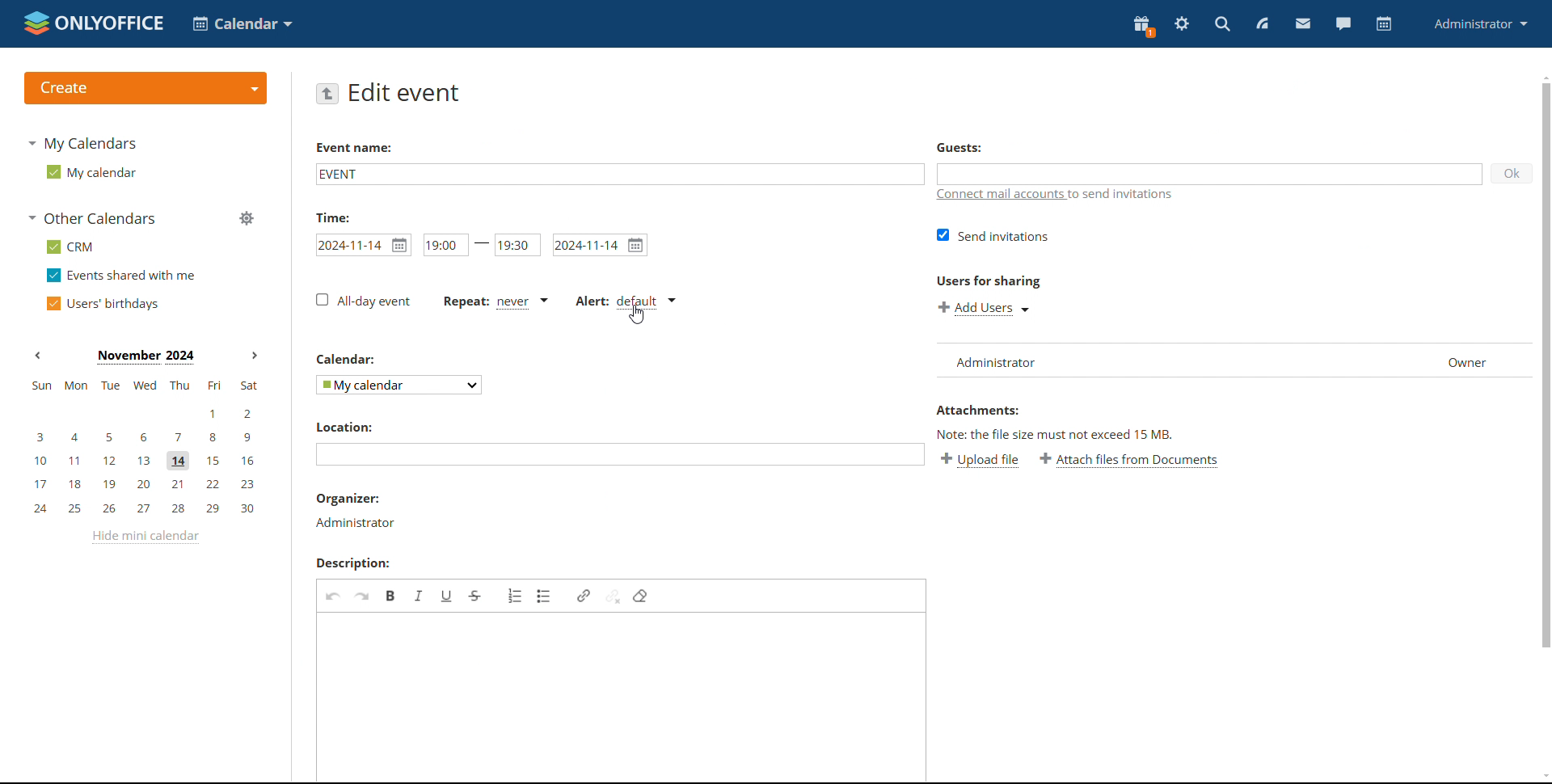  I want to click on hide mini calendar, so click(145, 537).